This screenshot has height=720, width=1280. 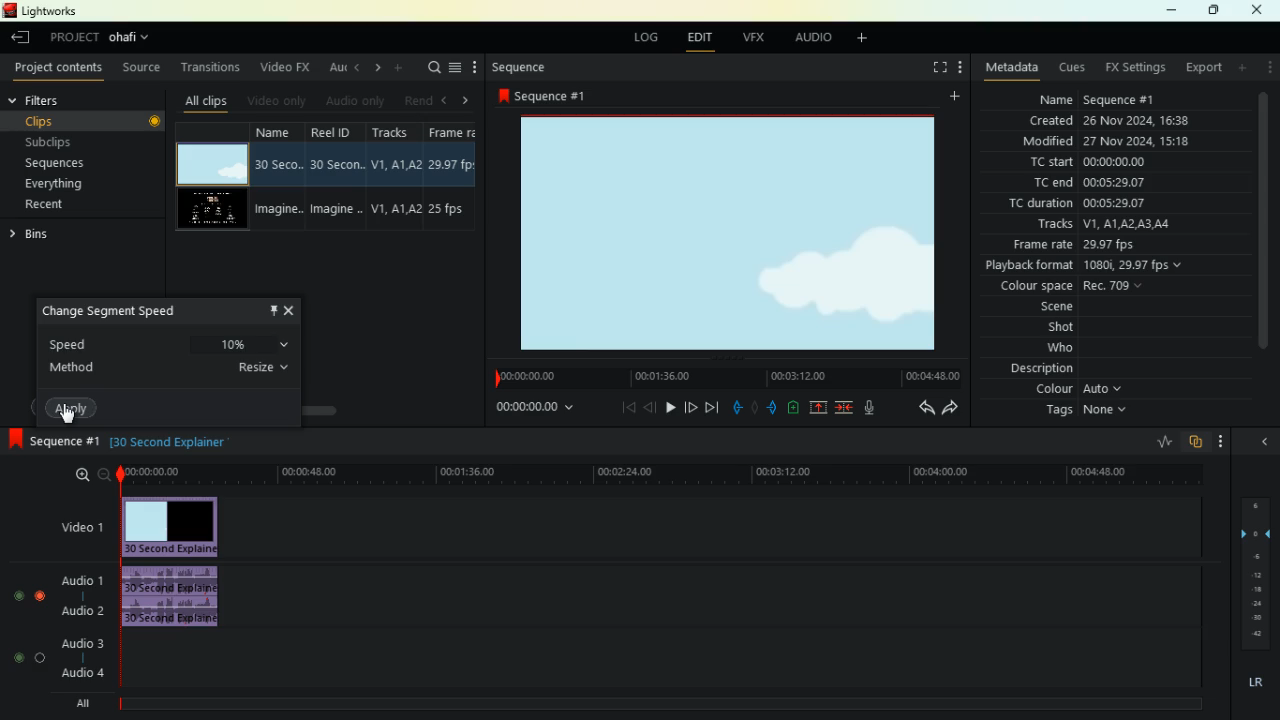 I want to click on sequence, so click(x=550, y=96).